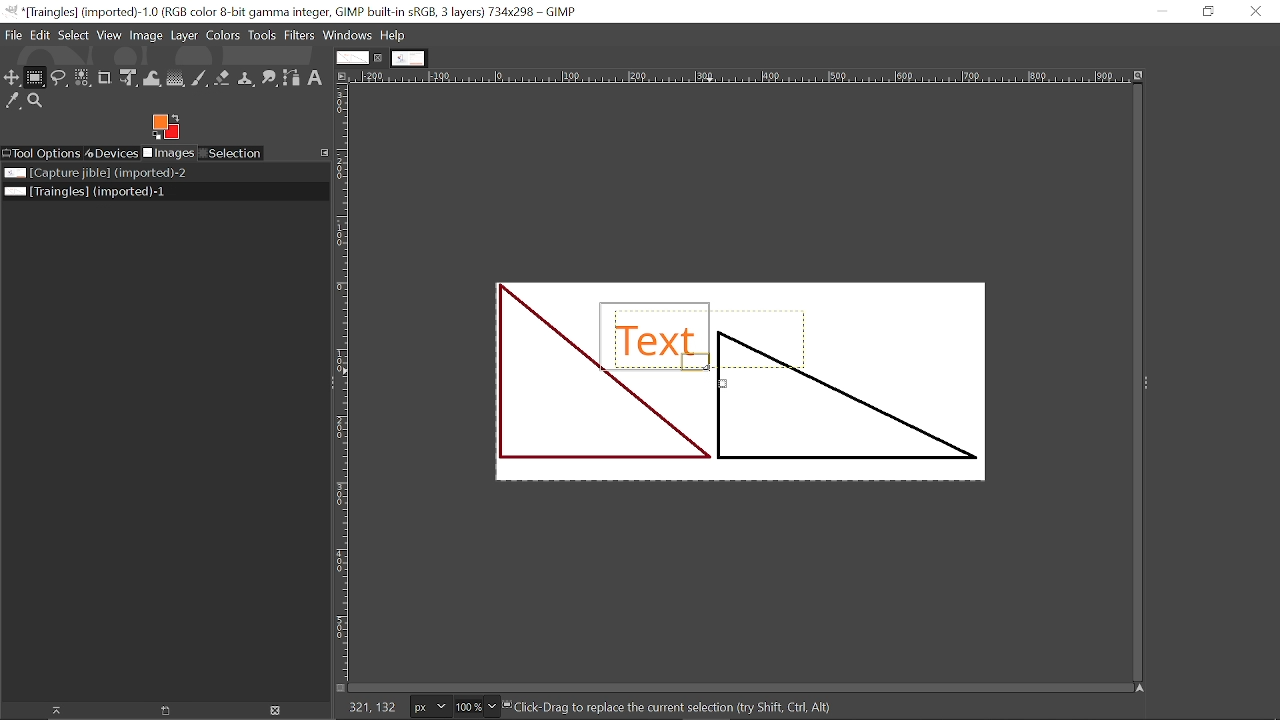  I want to click on Free select, so click(60, 77).